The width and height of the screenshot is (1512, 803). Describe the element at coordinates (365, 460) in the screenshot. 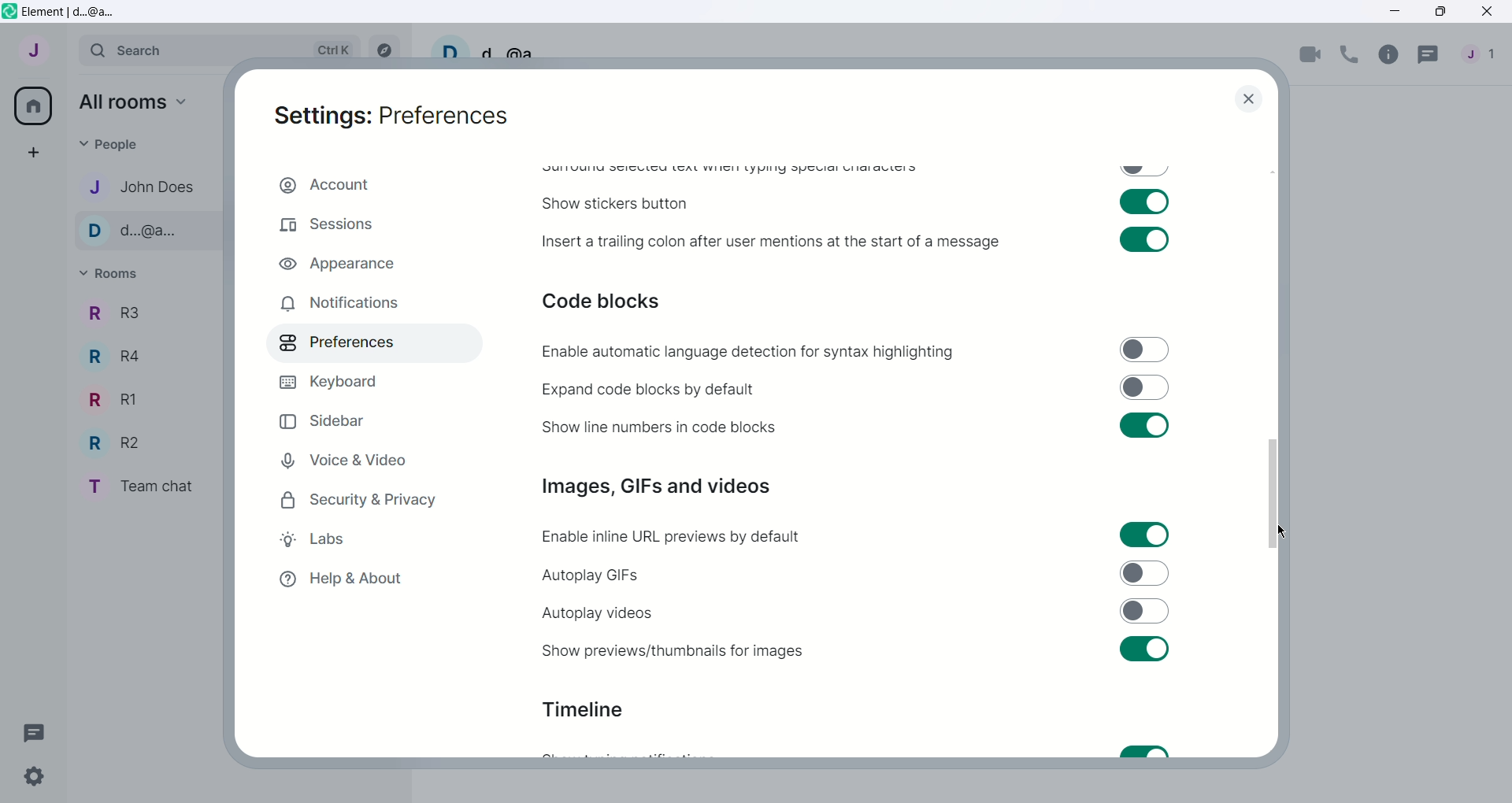

I see `Voice and Video` at that location.